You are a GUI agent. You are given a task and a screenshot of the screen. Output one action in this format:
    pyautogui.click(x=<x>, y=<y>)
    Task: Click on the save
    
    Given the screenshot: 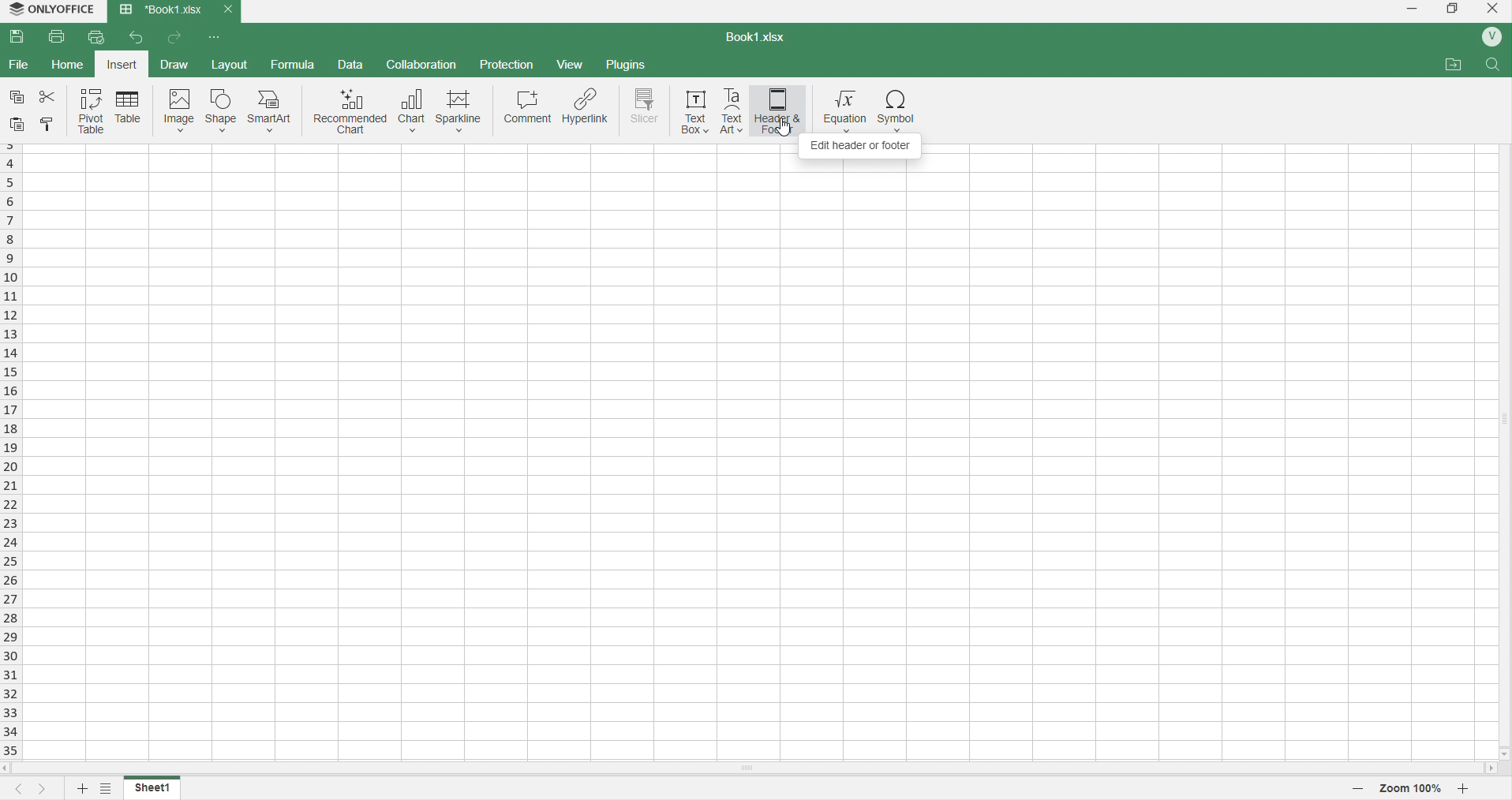 What is the action you would take?
    pyautogui.click(x=21, y=37)
    